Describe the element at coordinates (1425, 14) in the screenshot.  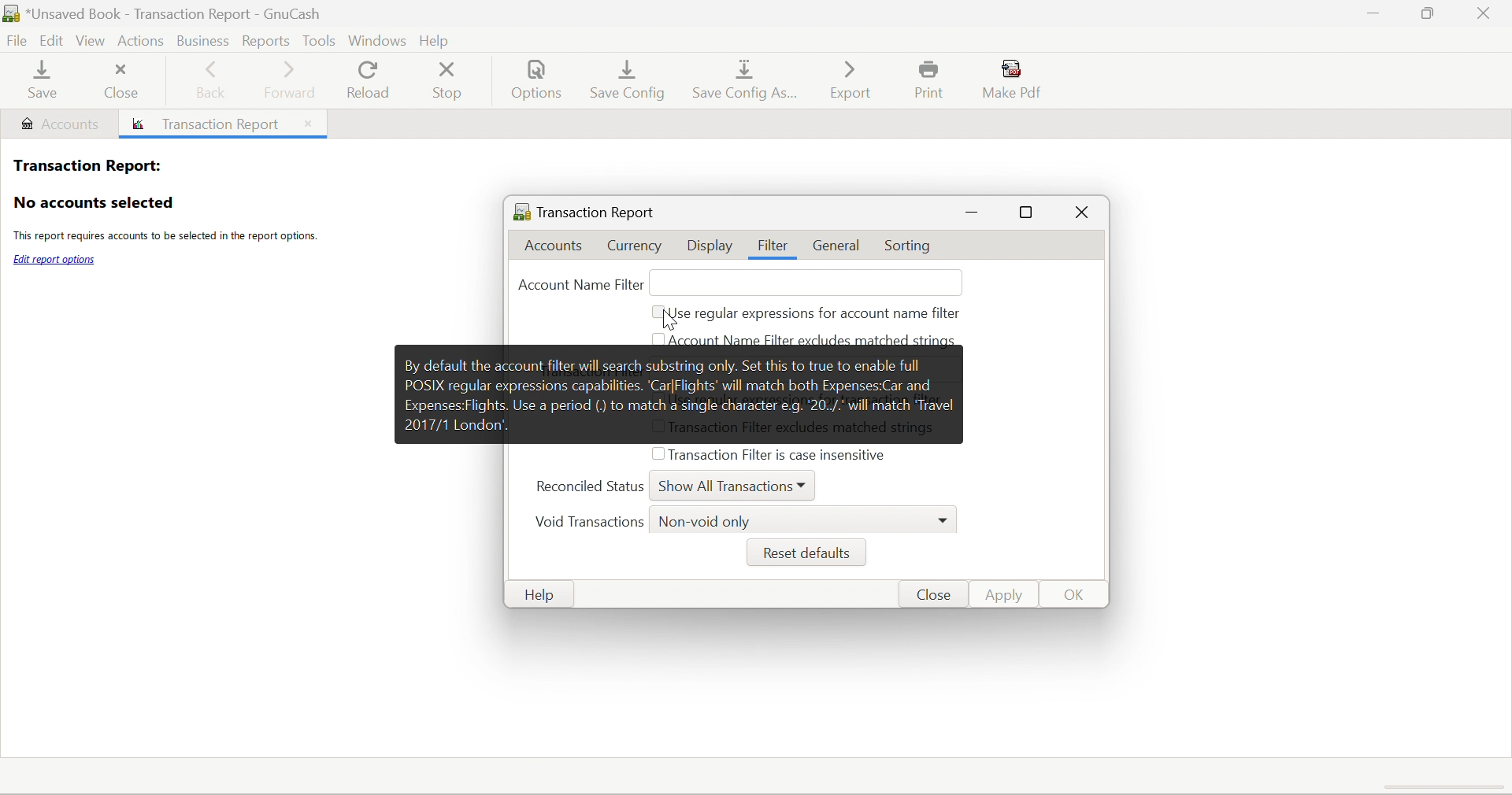
I see `Restore Down` at that location.